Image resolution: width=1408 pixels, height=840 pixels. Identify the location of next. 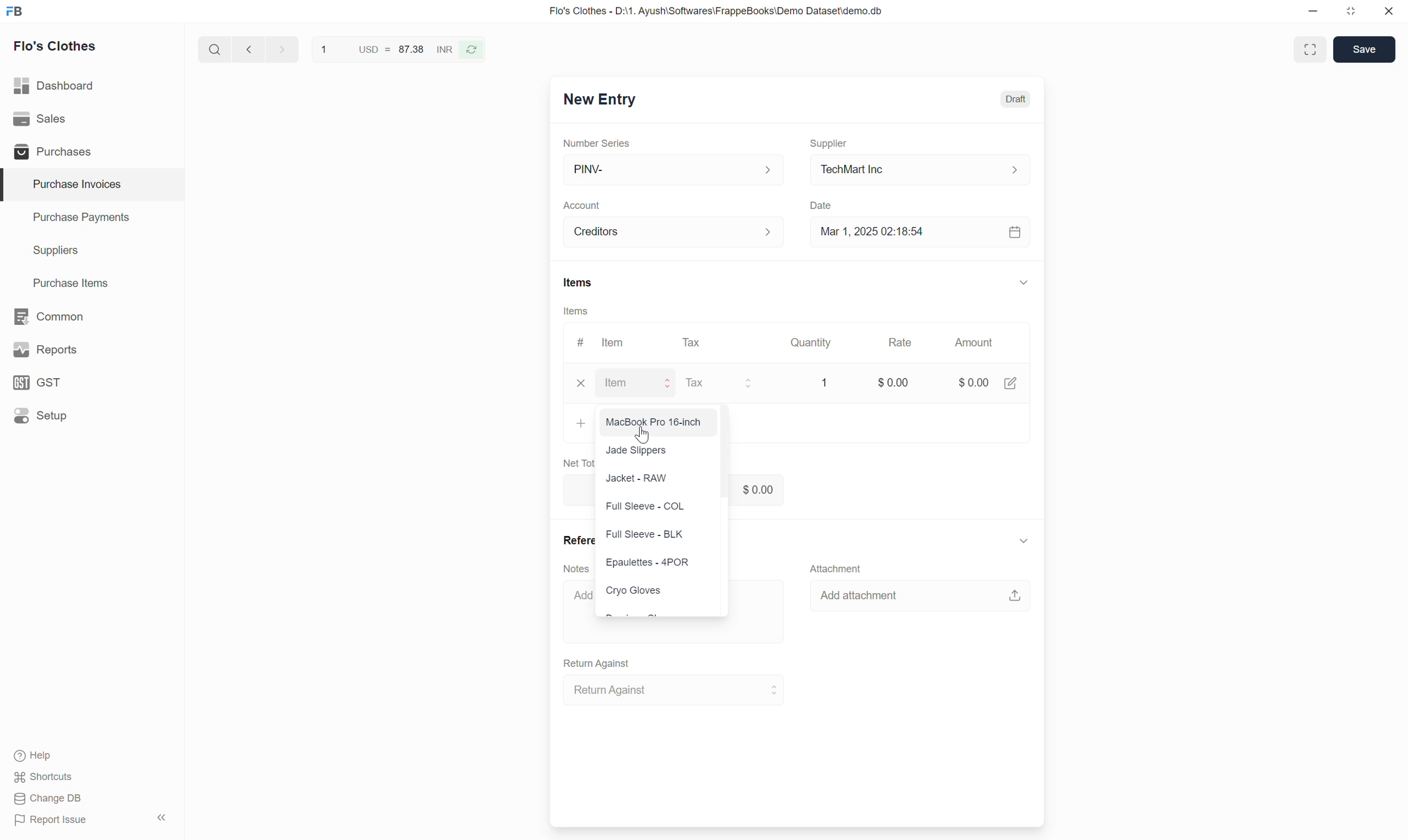
(284, 49).